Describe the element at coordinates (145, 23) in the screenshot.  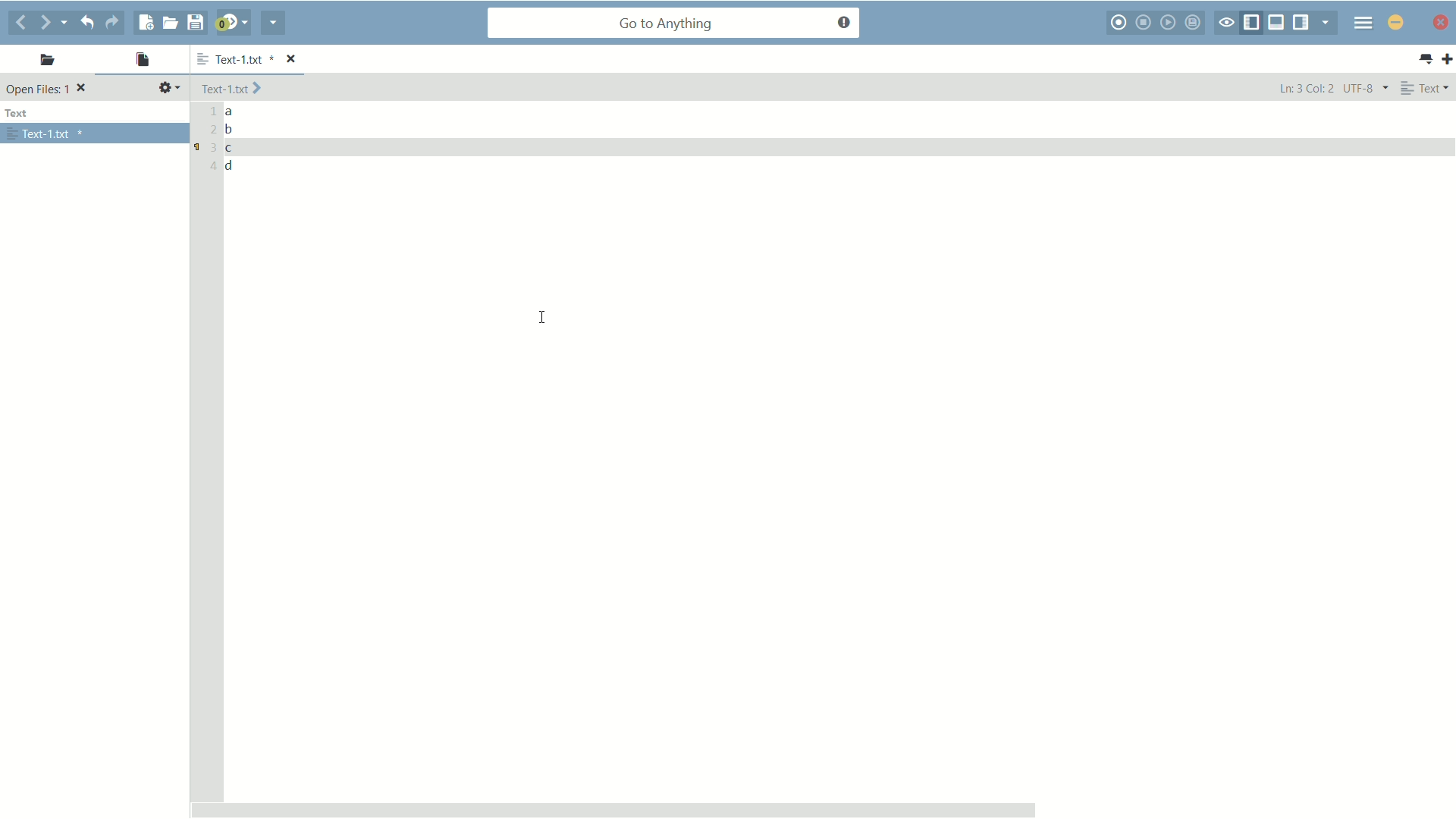
I see `new file` at that location.